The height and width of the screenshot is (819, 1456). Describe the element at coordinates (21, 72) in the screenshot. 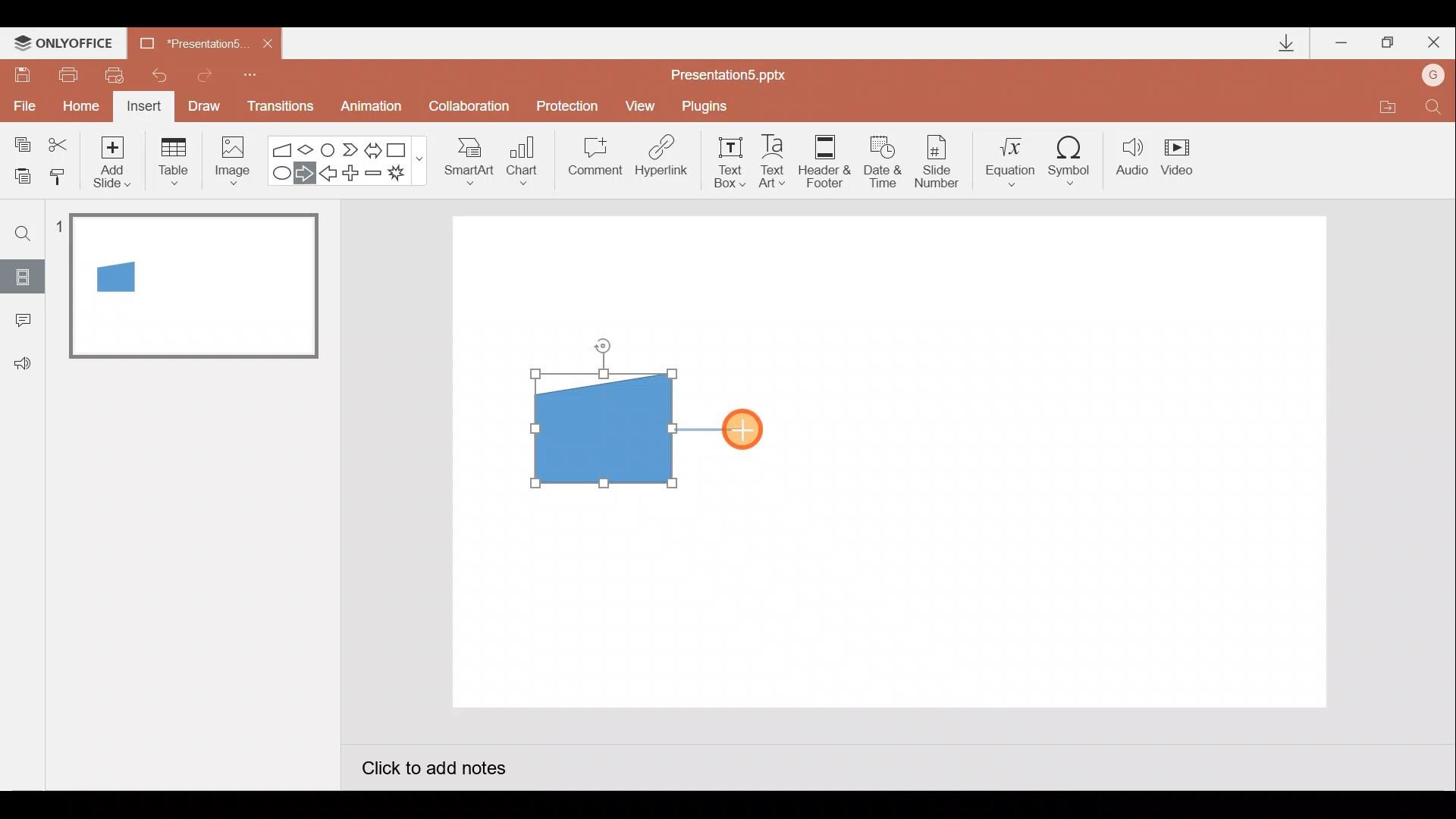

I see `Save` at that location.